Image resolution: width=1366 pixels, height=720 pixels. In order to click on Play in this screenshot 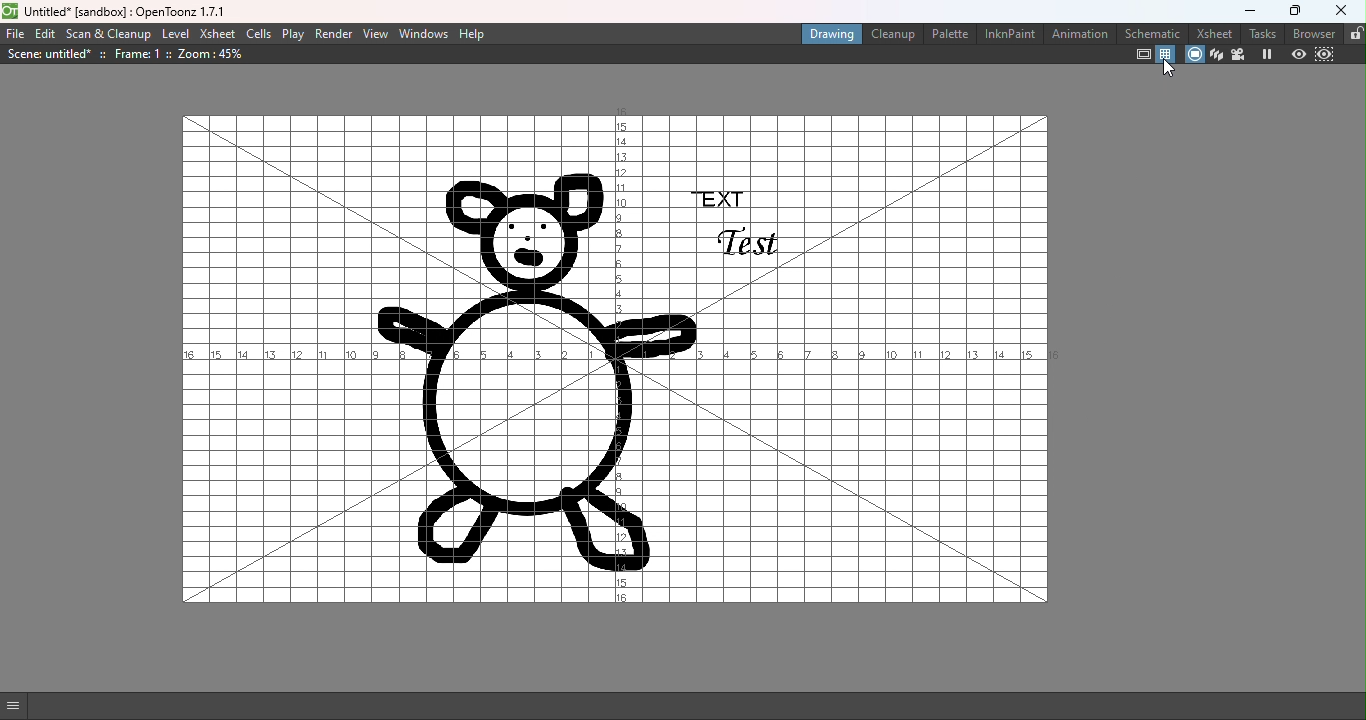, I will do `click(292, 34)`.